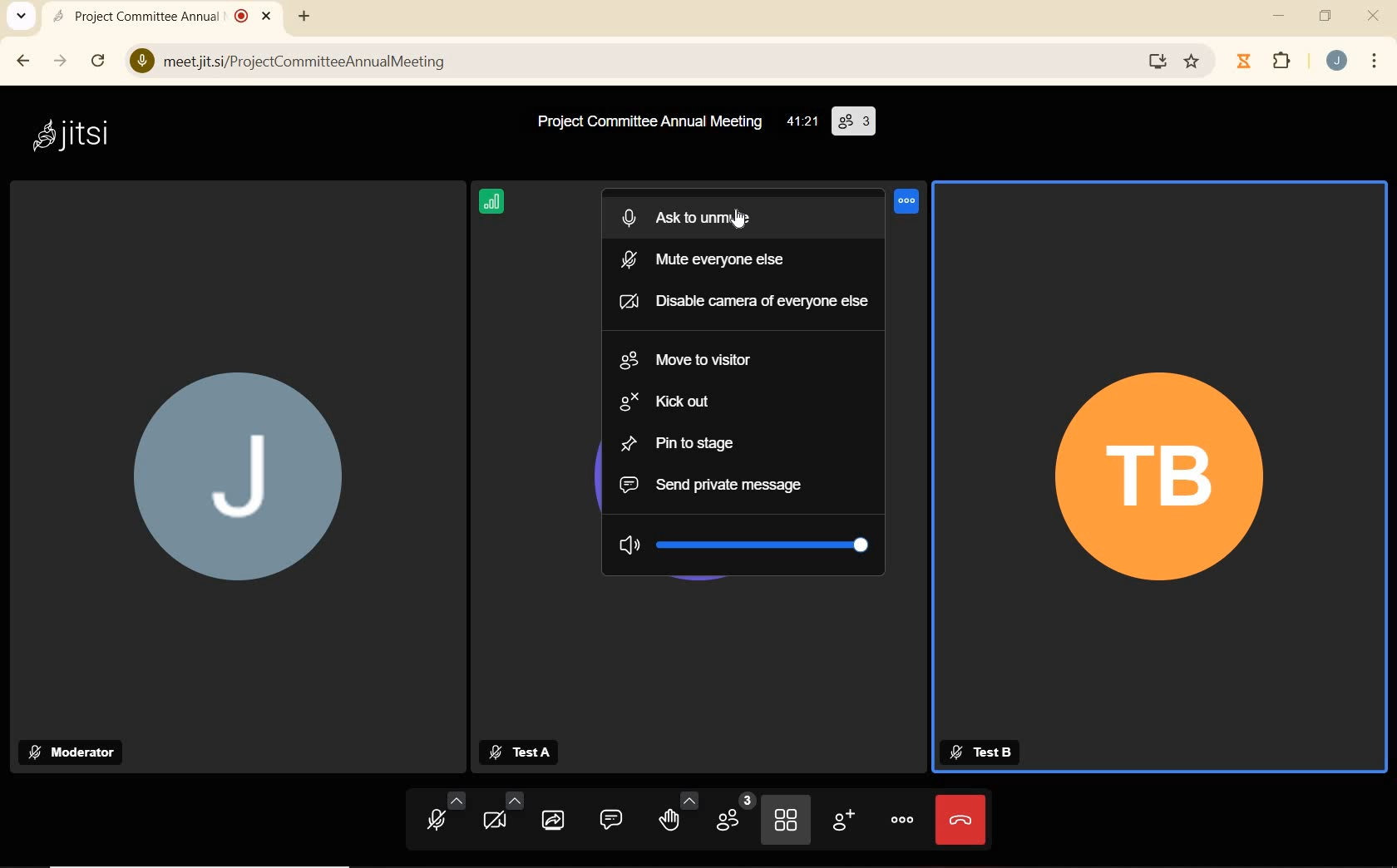  I want to click on EXTENSIONS, so click(1284, 62).